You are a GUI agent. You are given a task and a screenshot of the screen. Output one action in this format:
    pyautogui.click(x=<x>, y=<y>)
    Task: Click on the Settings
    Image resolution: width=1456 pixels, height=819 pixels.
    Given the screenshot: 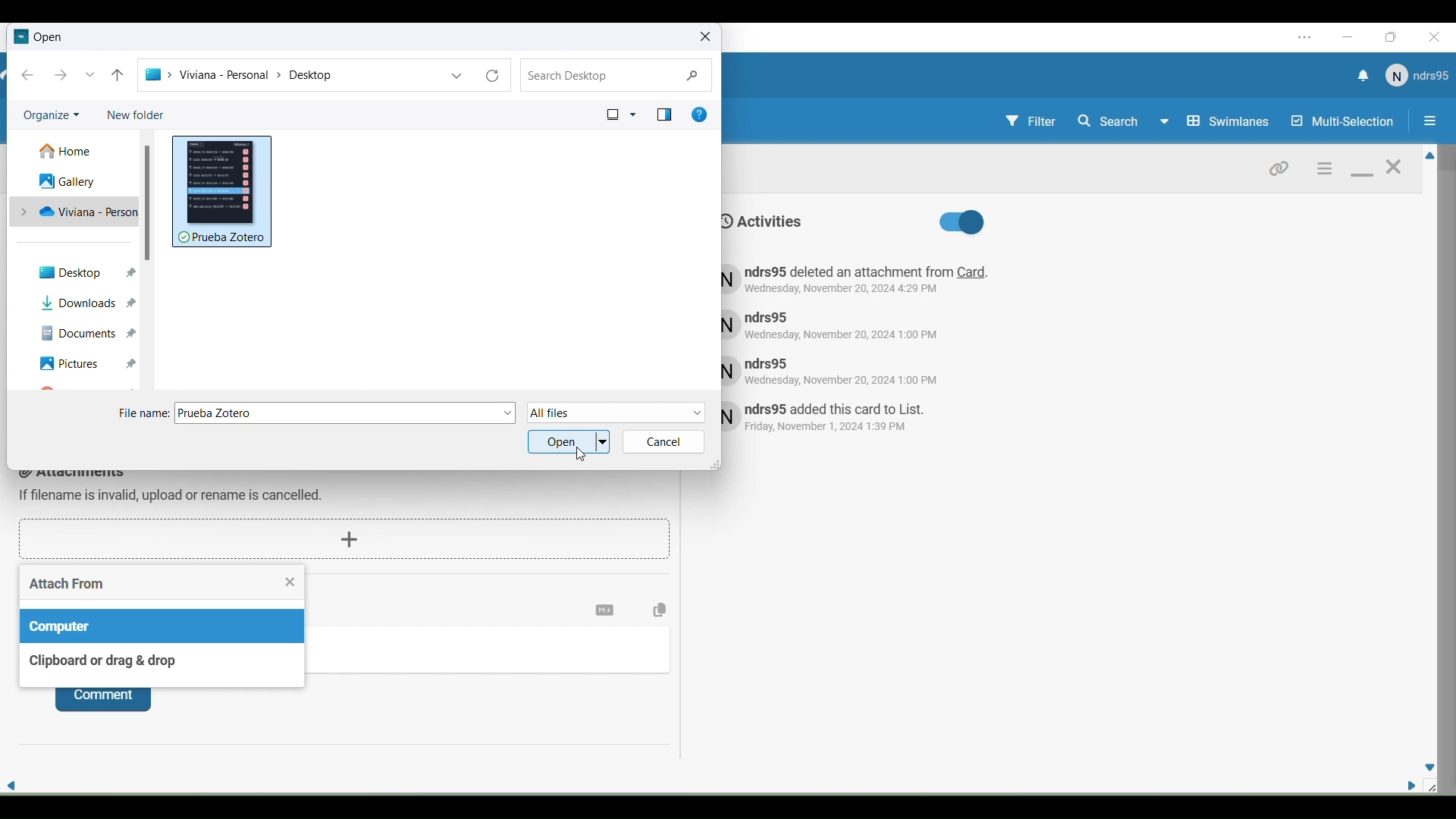 What is the action you would take?
    pyautogui.click(x=1323, y=168)
    